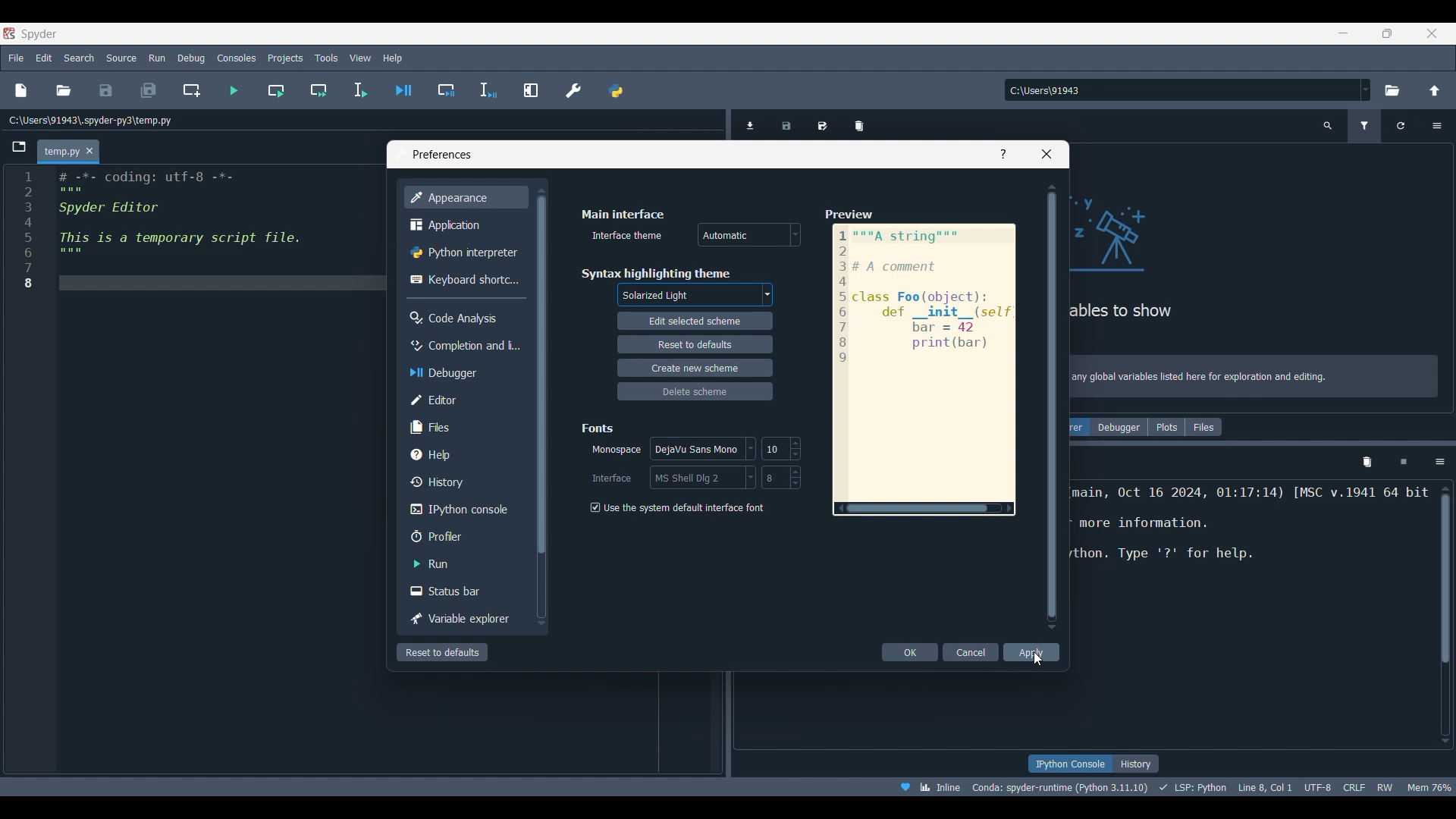 The width and height of the screenshot is (1456, 819). Describe the element at coordinates (1387, 33) in the screenshot. I see `Show in a smaller tab` at that location.